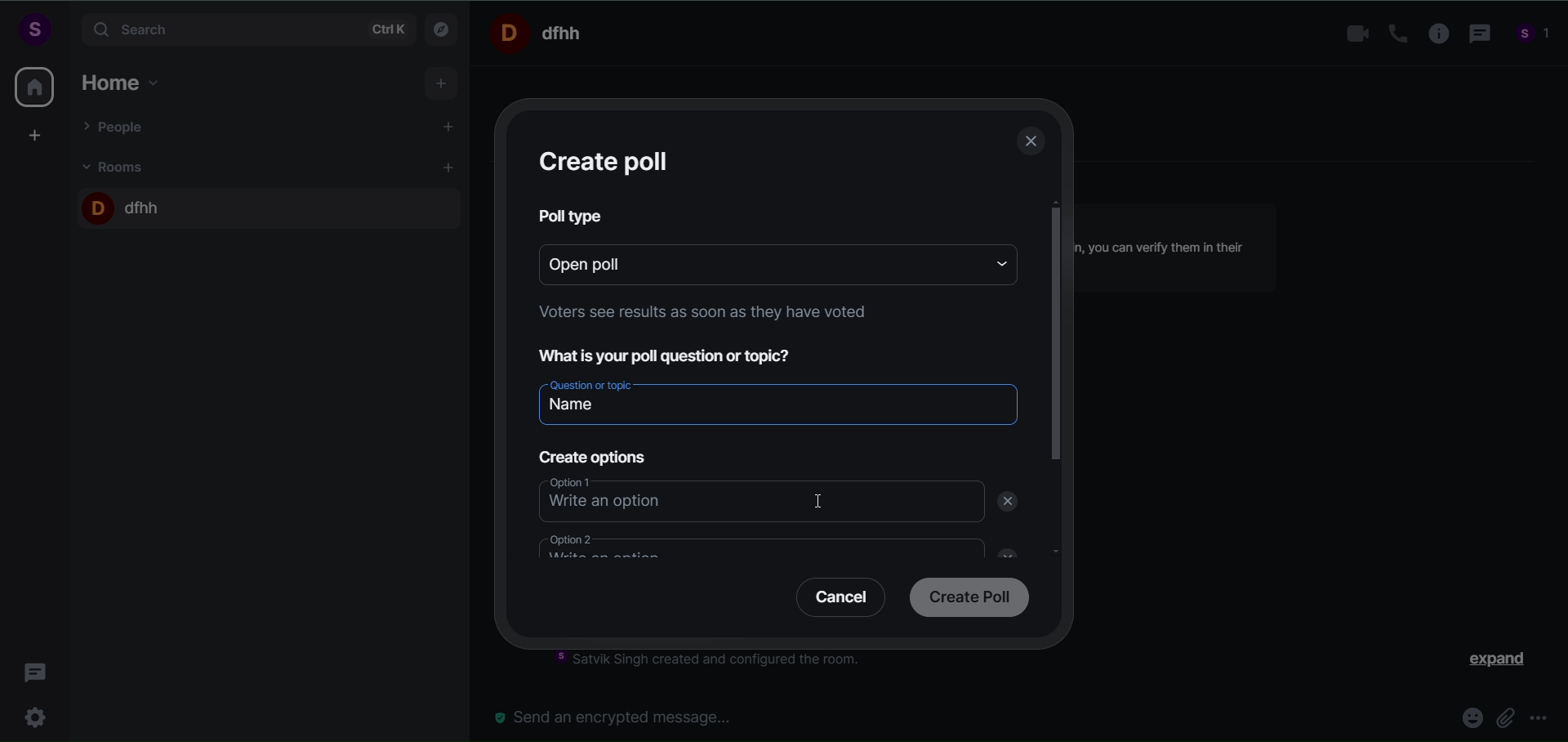 This screenshot has width=1568, height=742. I want to click on room info, so click(1433, 34).